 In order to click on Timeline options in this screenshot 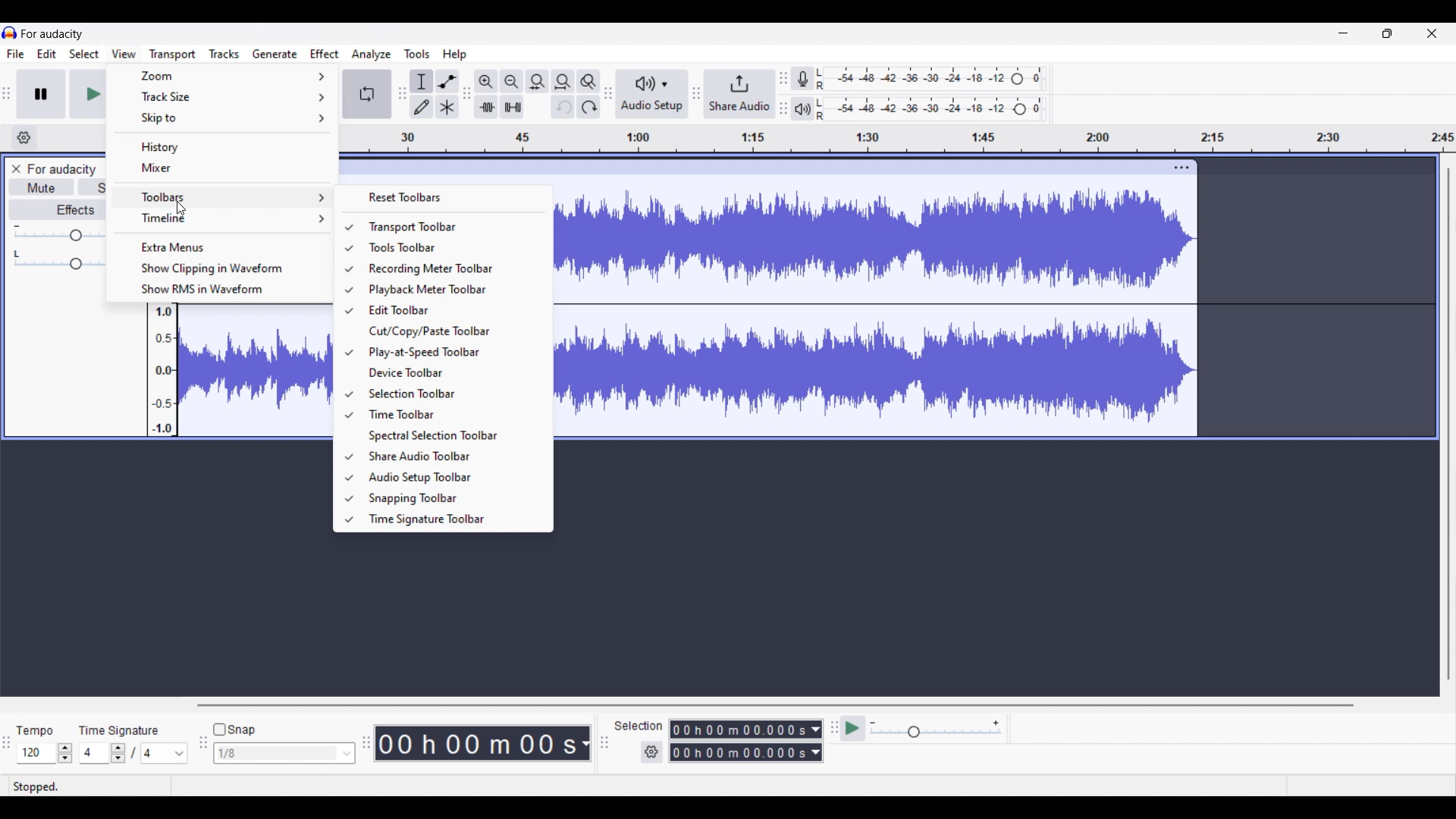, I will do `click(24, 137)`.